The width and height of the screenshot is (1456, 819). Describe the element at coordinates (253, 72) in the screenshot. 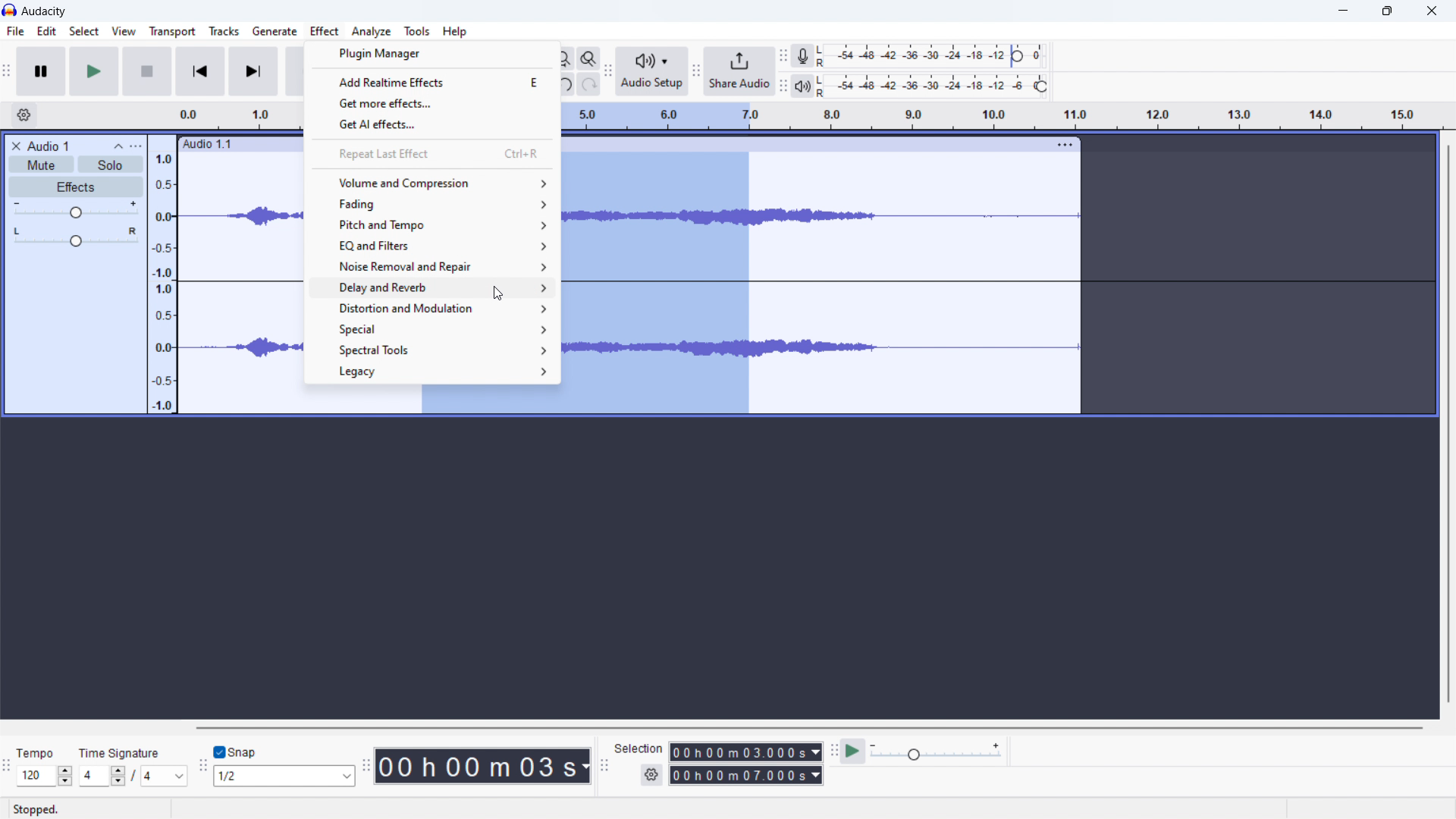

I see `skip to end` at that location.